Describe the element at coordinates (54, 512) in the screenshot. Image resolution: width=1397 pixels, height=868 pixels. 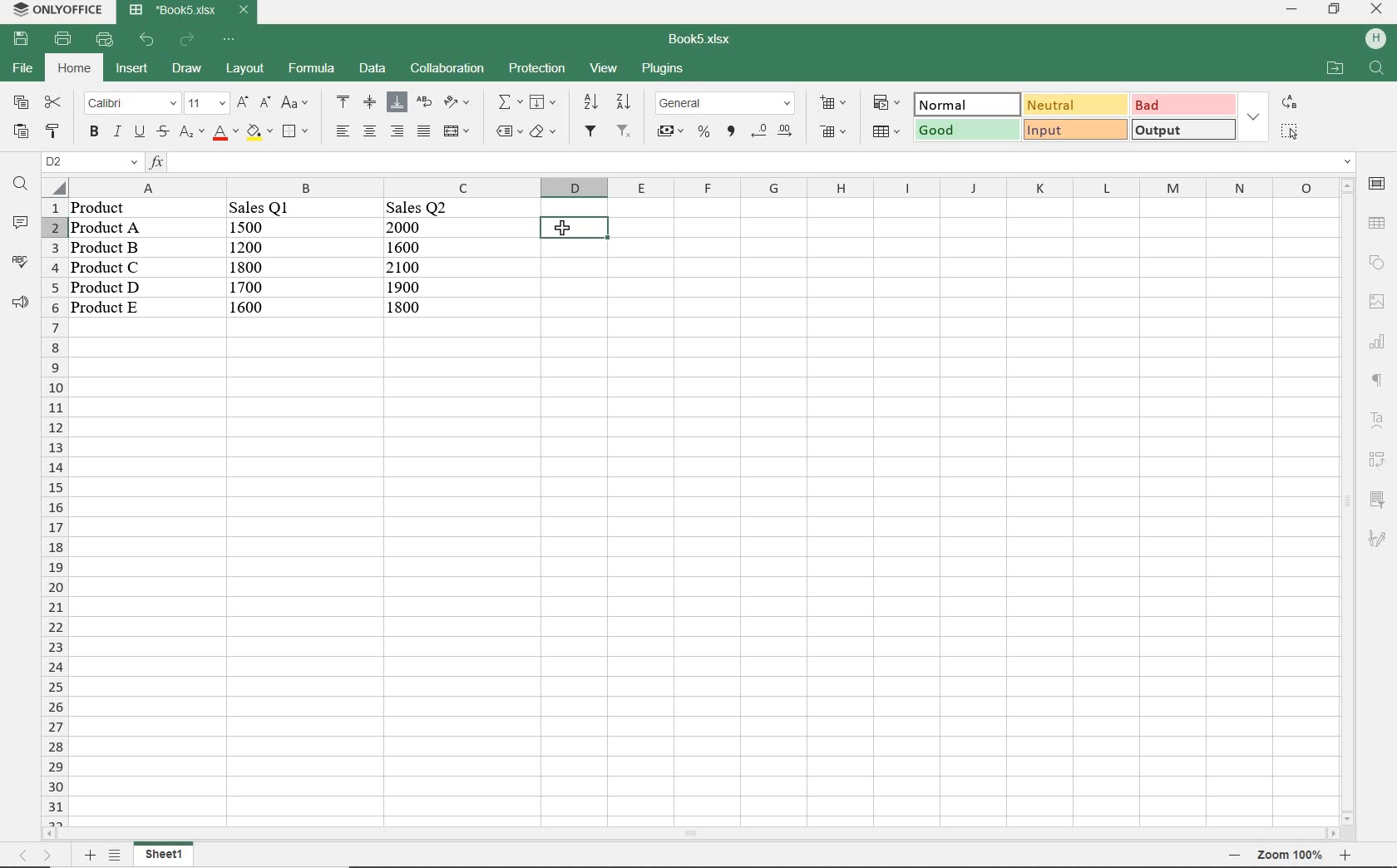
I see `rows` at that location.